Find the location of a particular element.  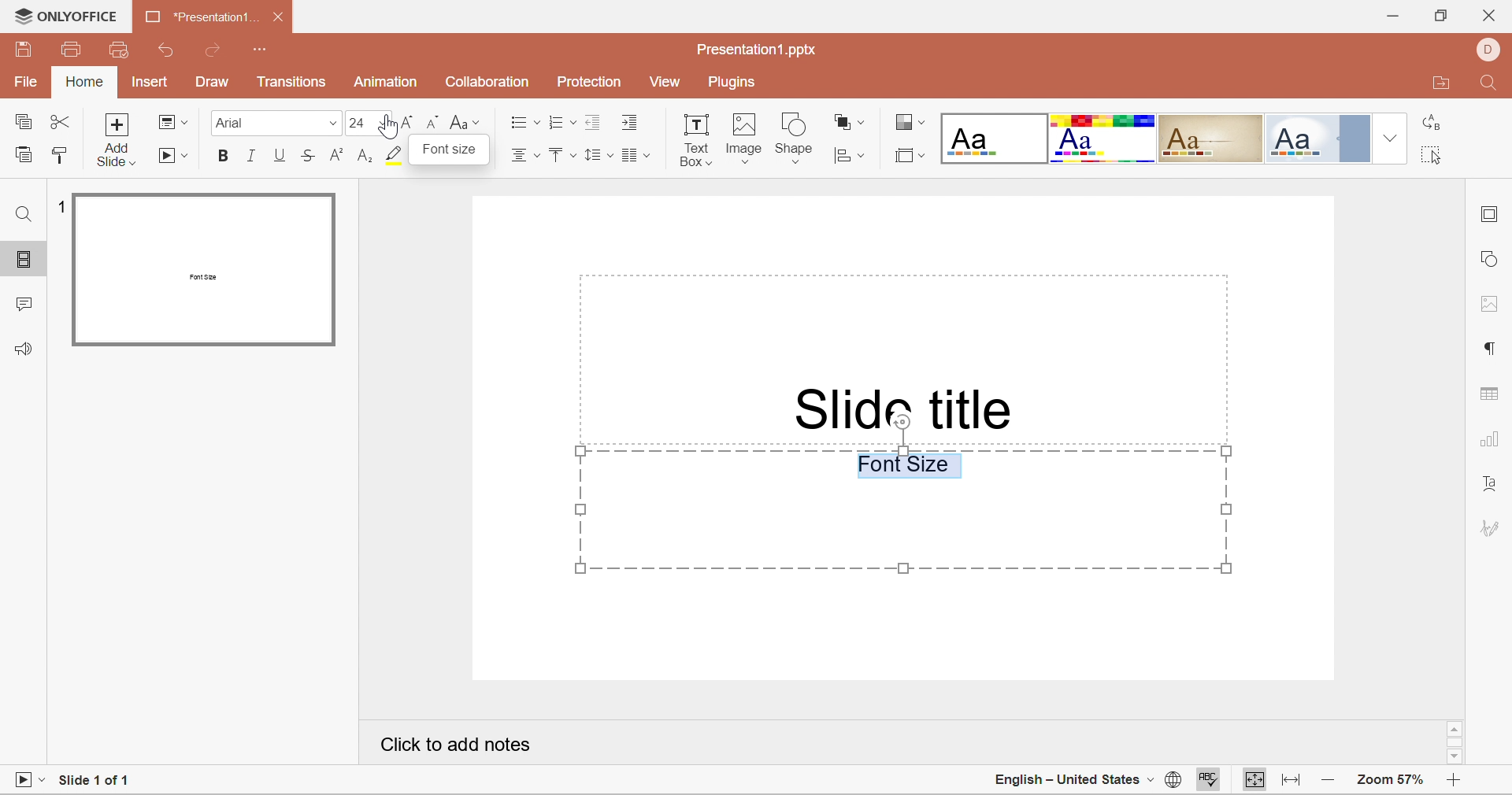

Slide is located at coordinates (206, 269).